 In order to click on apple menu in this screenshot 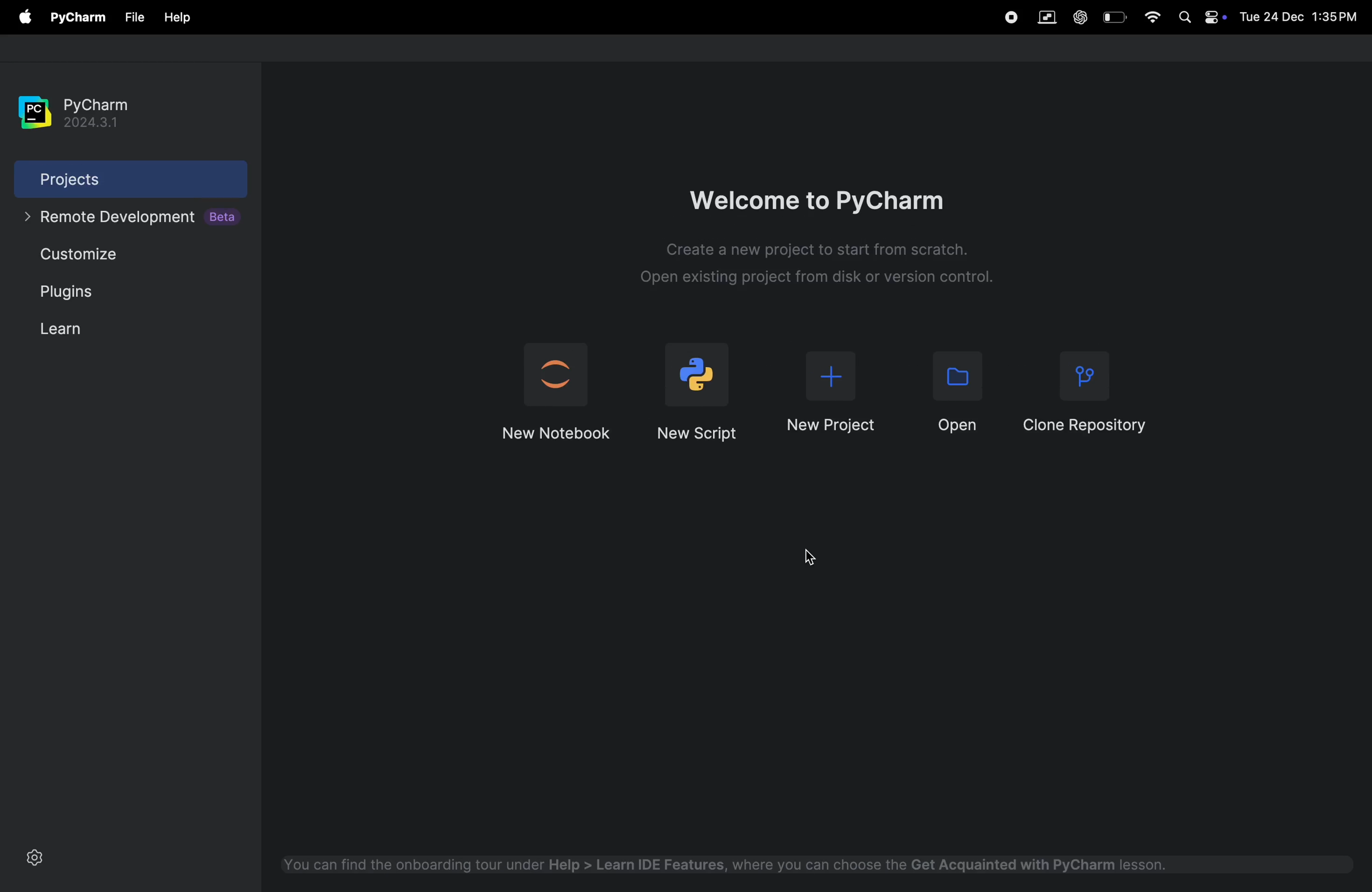, I will do `click(19, 16)`.